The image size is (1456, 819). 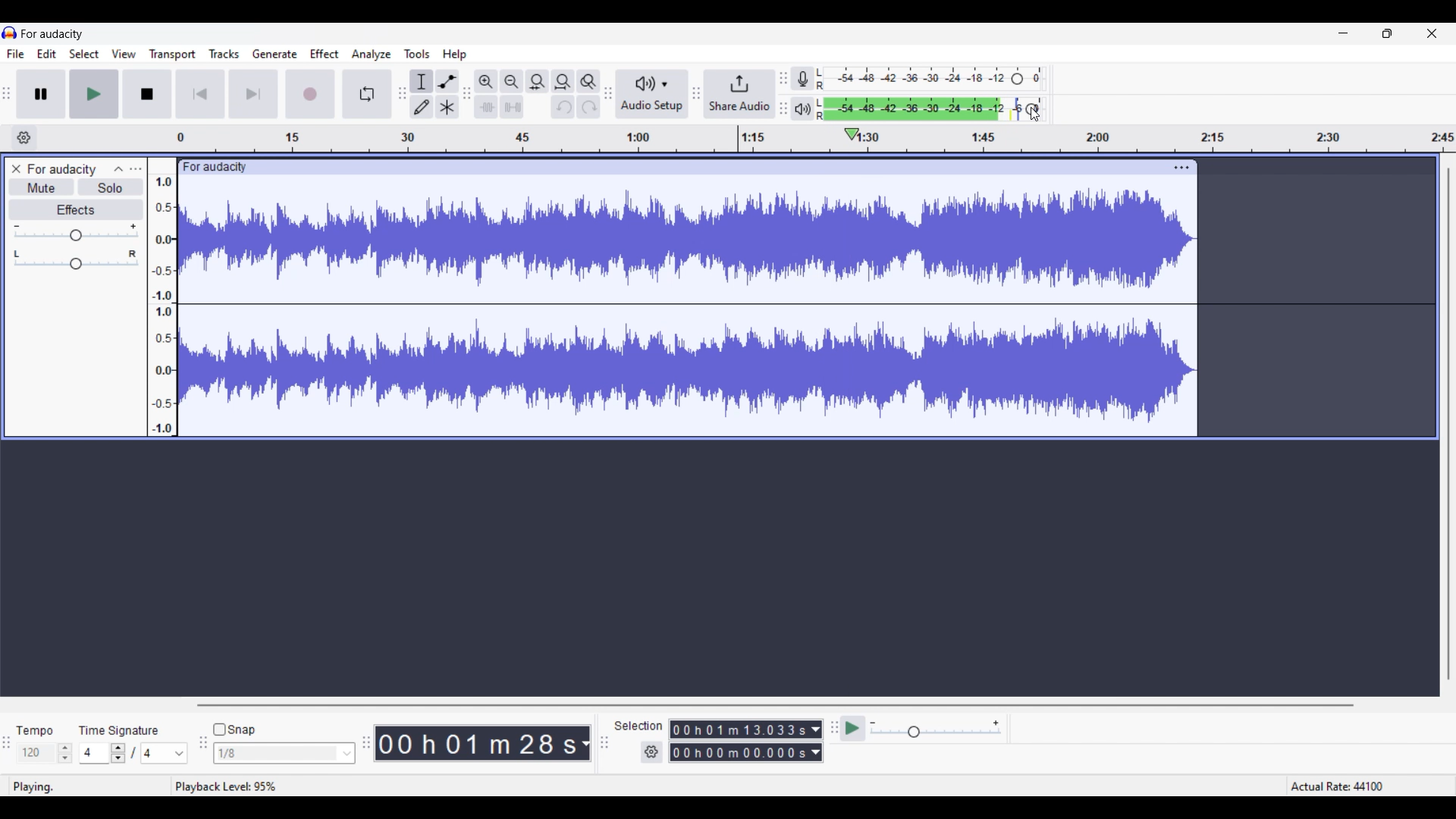 What do you see at coordinates (234, 730) in the screenshot?
I see `Snap toggle` at bounding box center [234, 730].